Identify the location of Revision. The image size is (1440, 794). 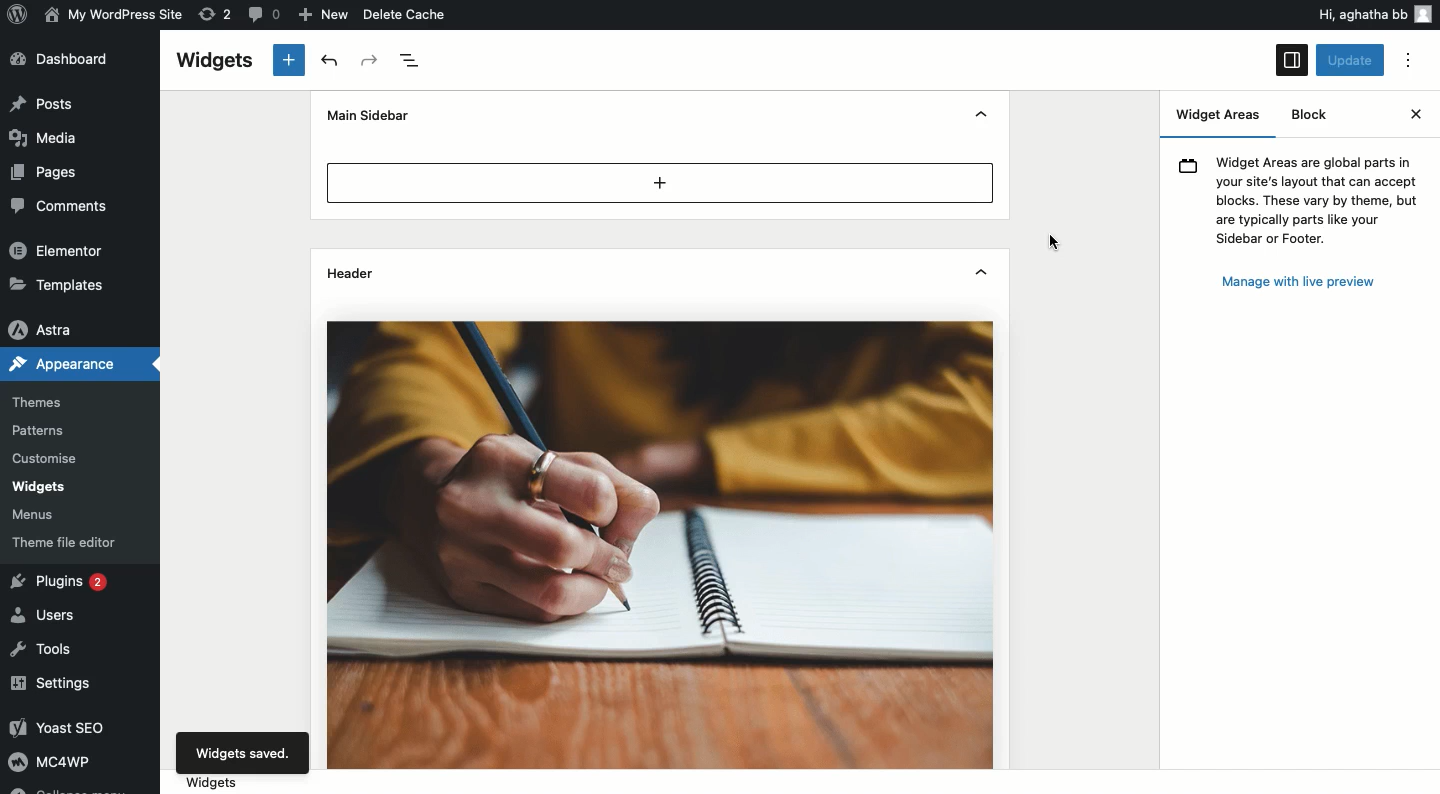
(216, 13).